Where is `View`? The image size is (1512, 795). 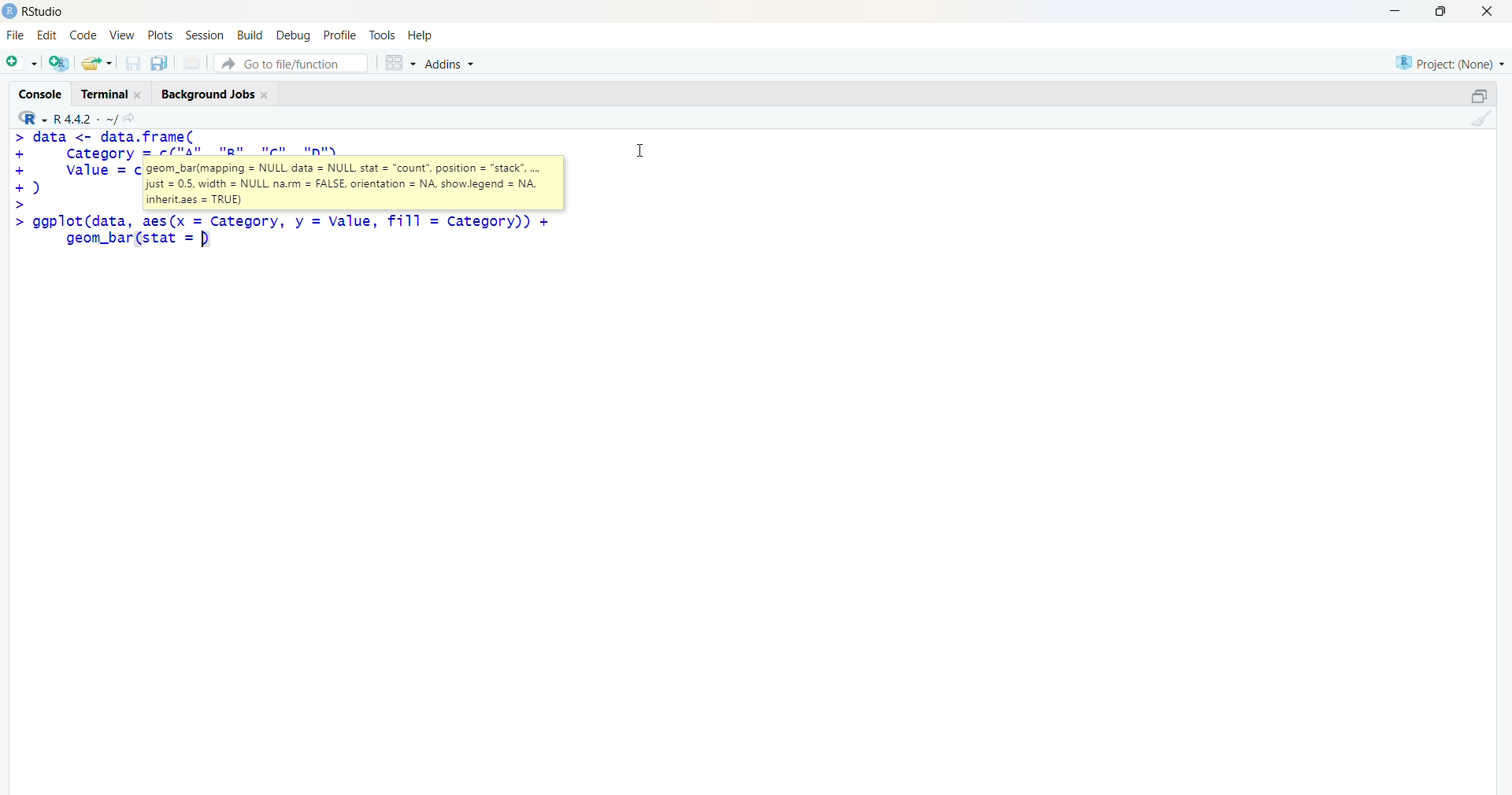 View is located at coordinates (123, 35).